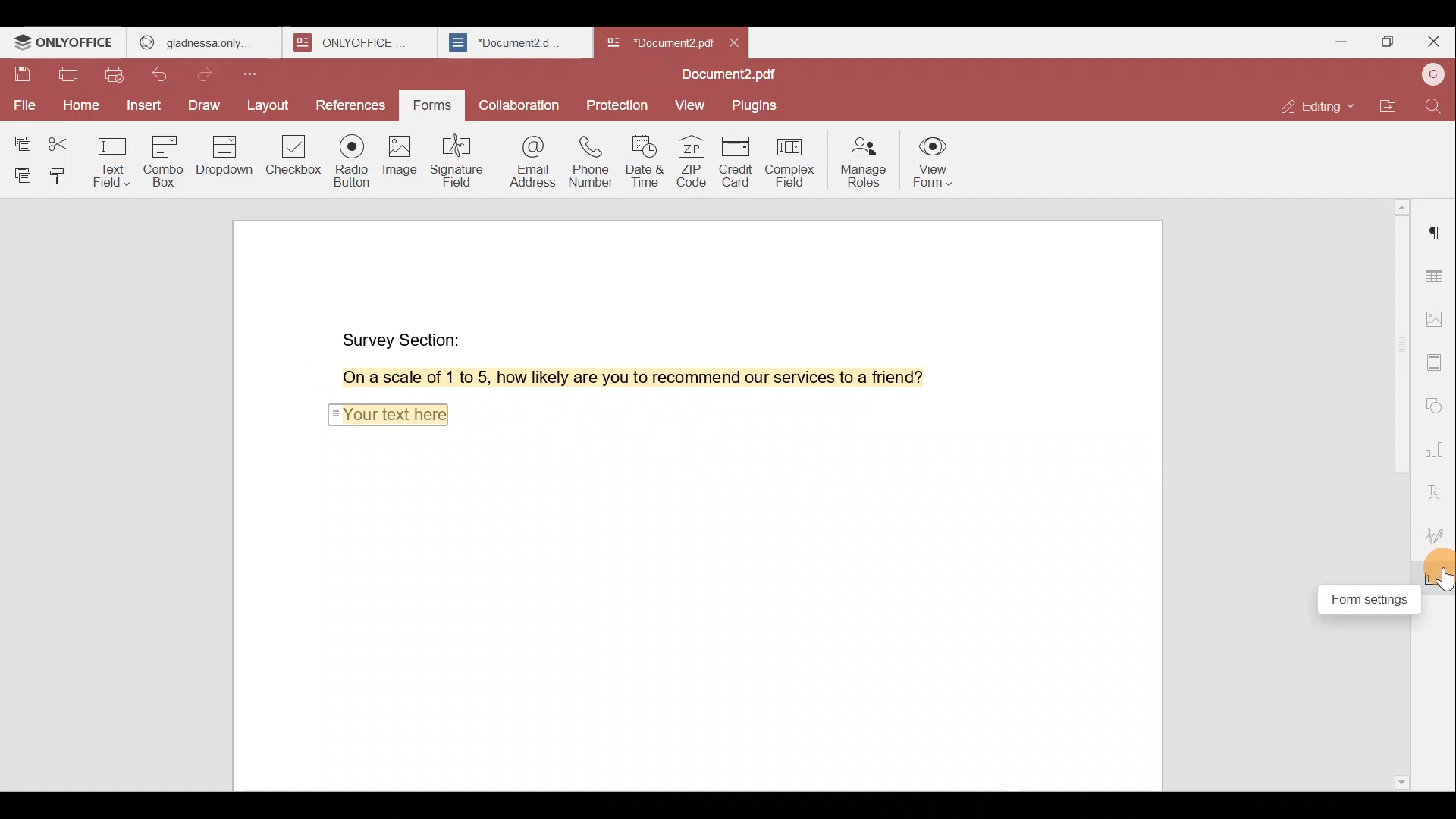  What do you see at coordinates (517, 104) in the screenshot?
I see `Collaboration` at bounding box center [517, 104].